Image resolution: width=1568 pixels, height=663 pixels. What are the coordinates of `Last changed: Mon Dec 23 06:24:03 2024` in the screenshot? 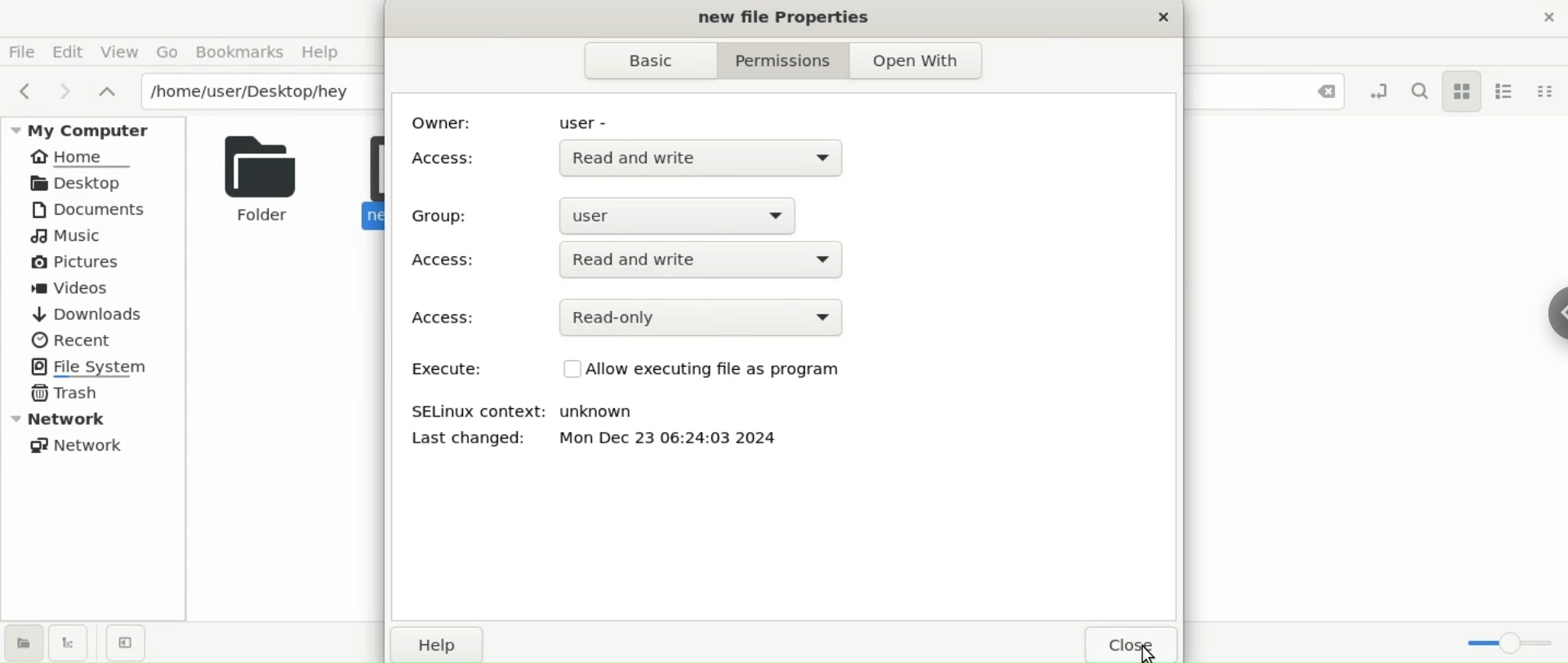 It's located at (636, 443).